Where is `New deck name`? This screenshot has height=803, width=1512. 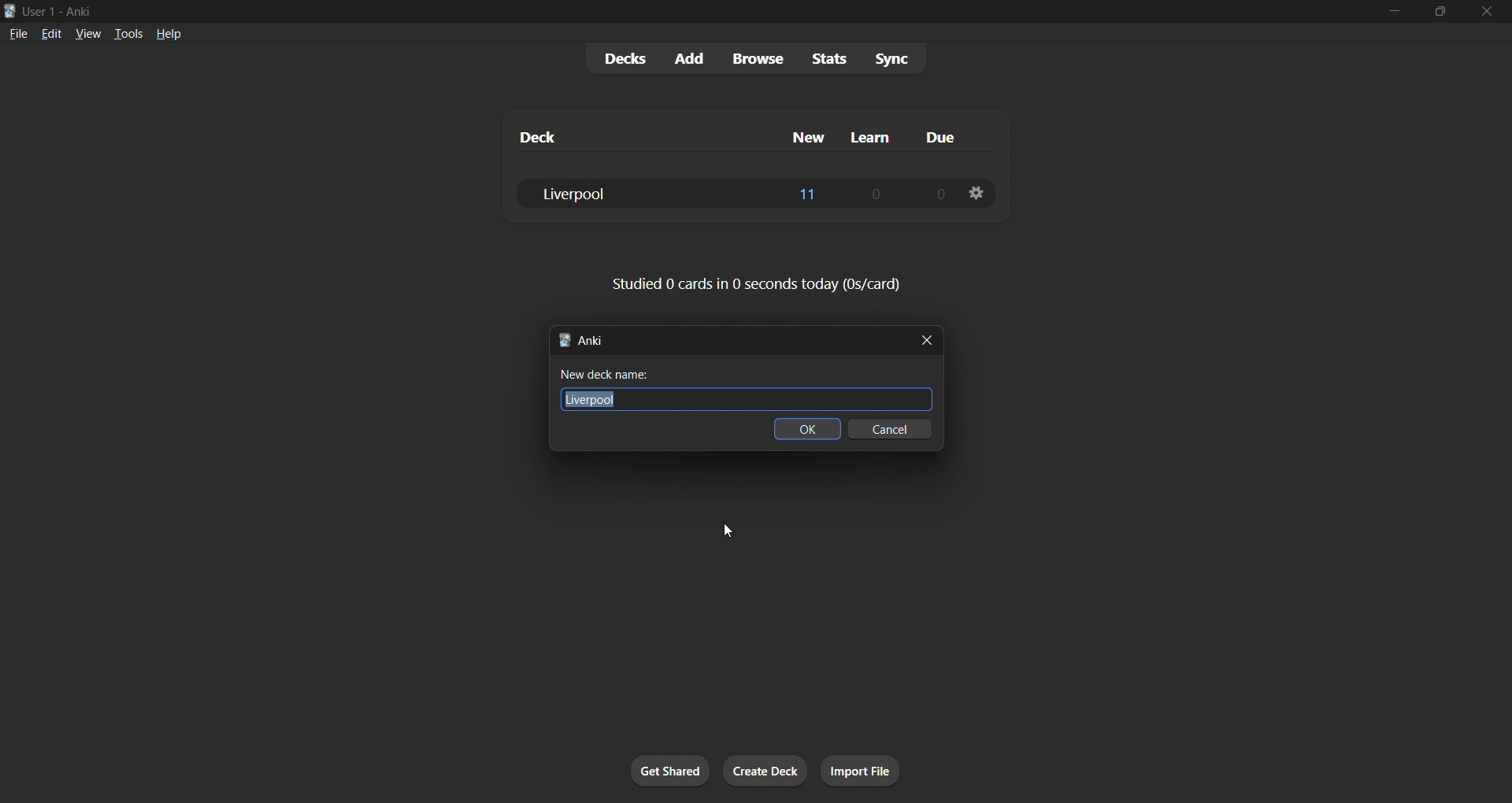
New deck name is located at coordinates (608, 369).